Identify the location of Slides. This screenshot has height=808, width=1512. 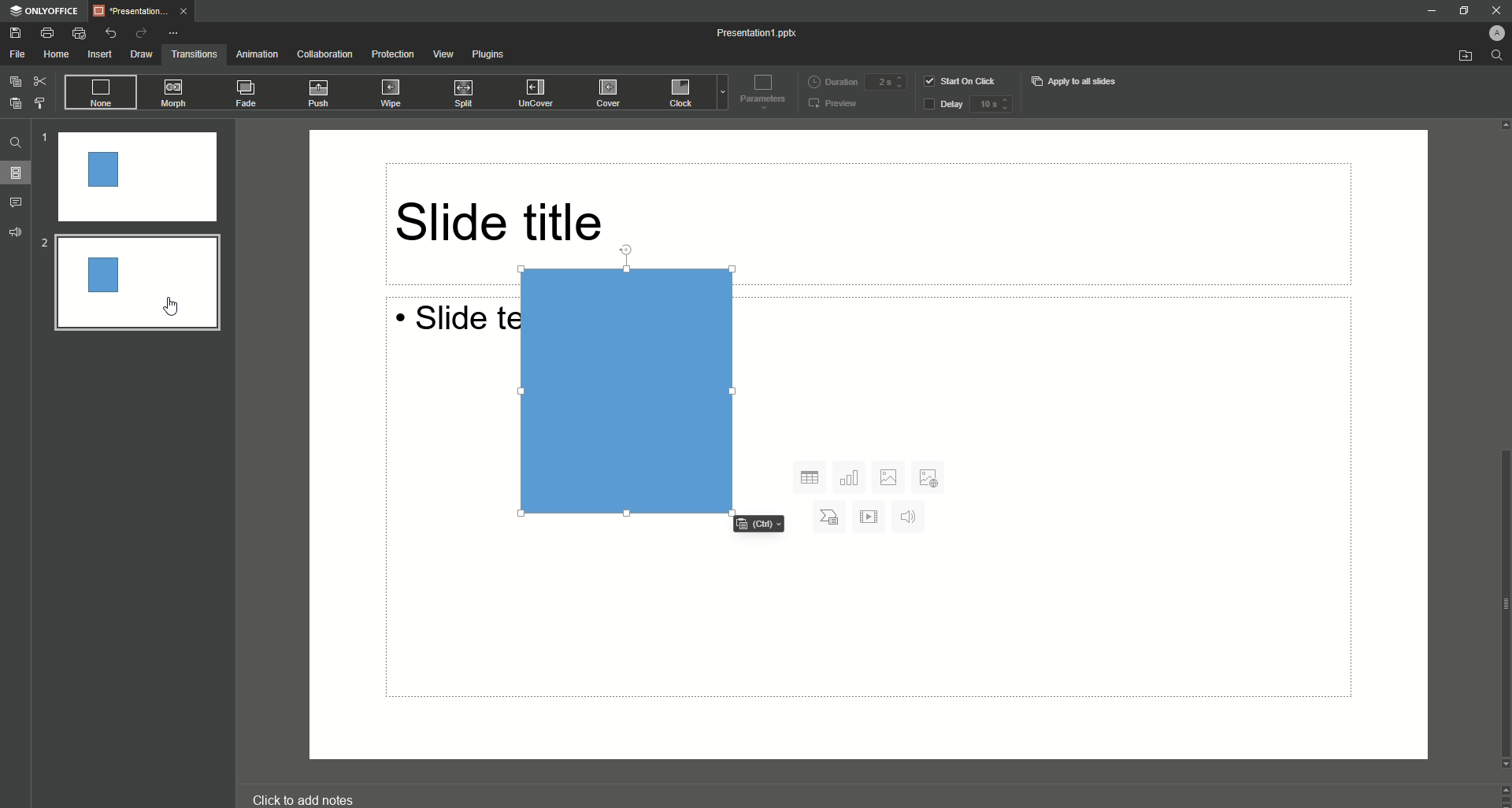
(16, 172).